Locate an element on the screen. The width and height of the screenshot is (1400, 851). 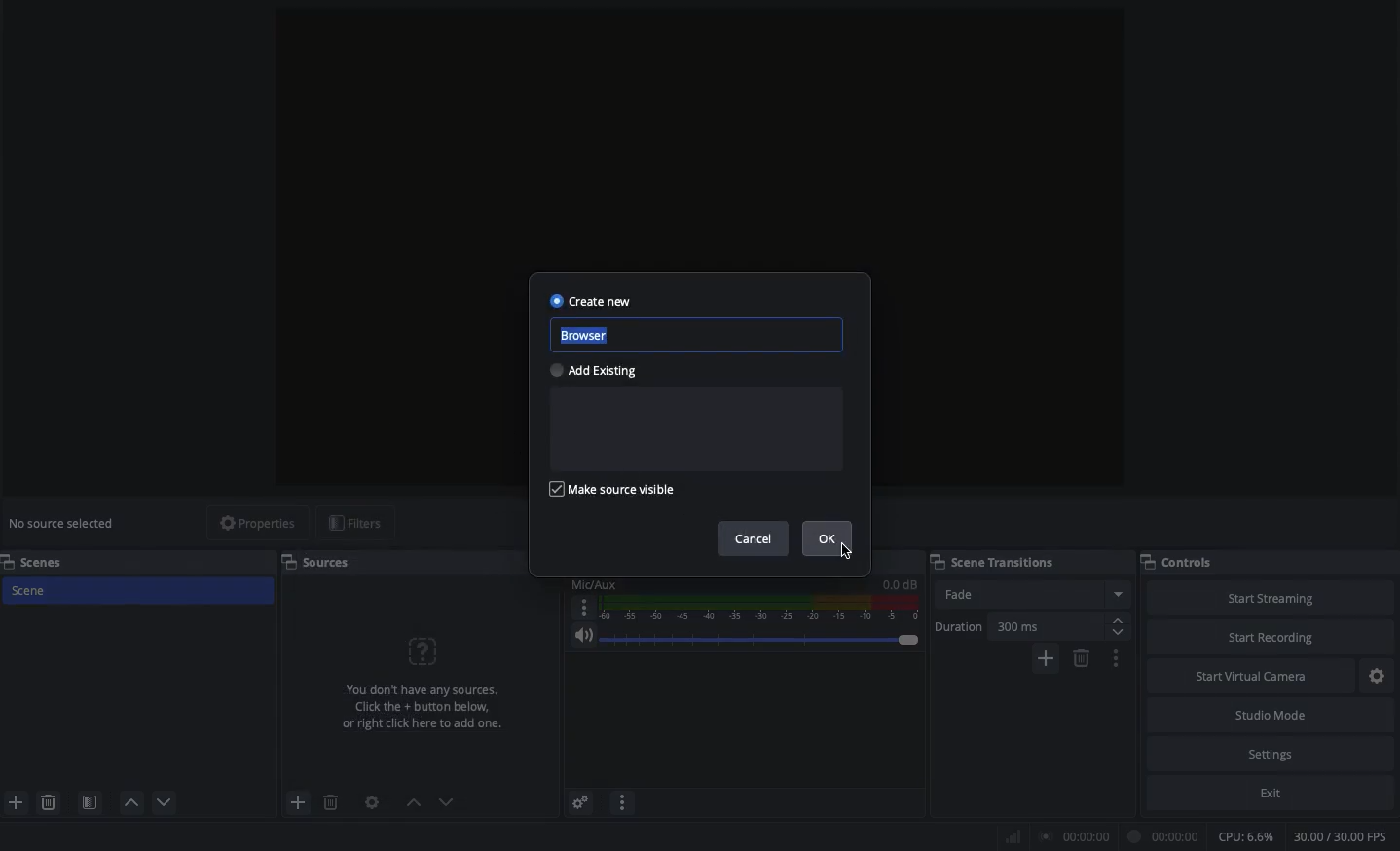
Move up is located at coordinates (411, 801).